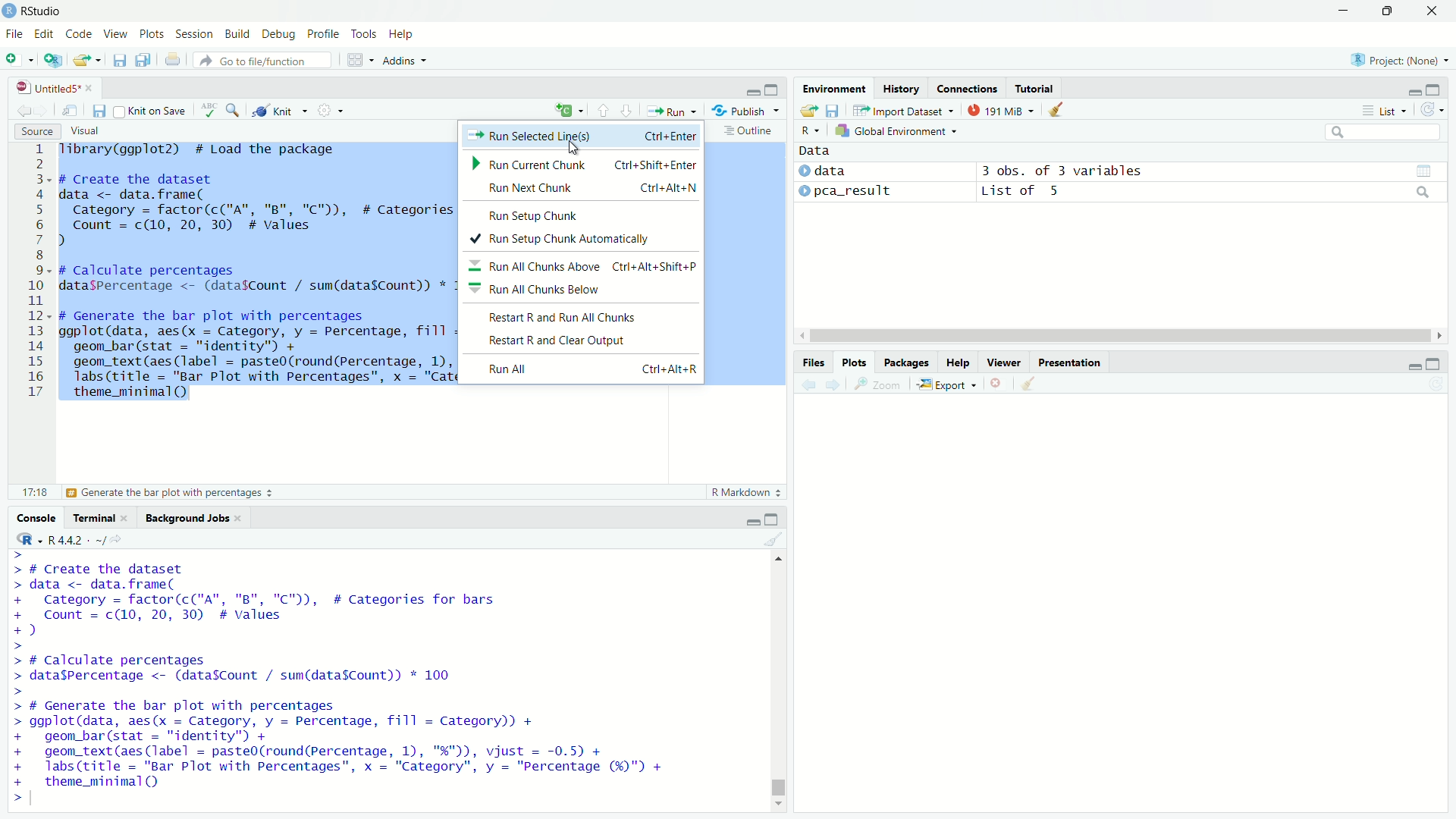  Describe the element at coordinates (27, 538) in the screenshot. I see `R language` at that location.